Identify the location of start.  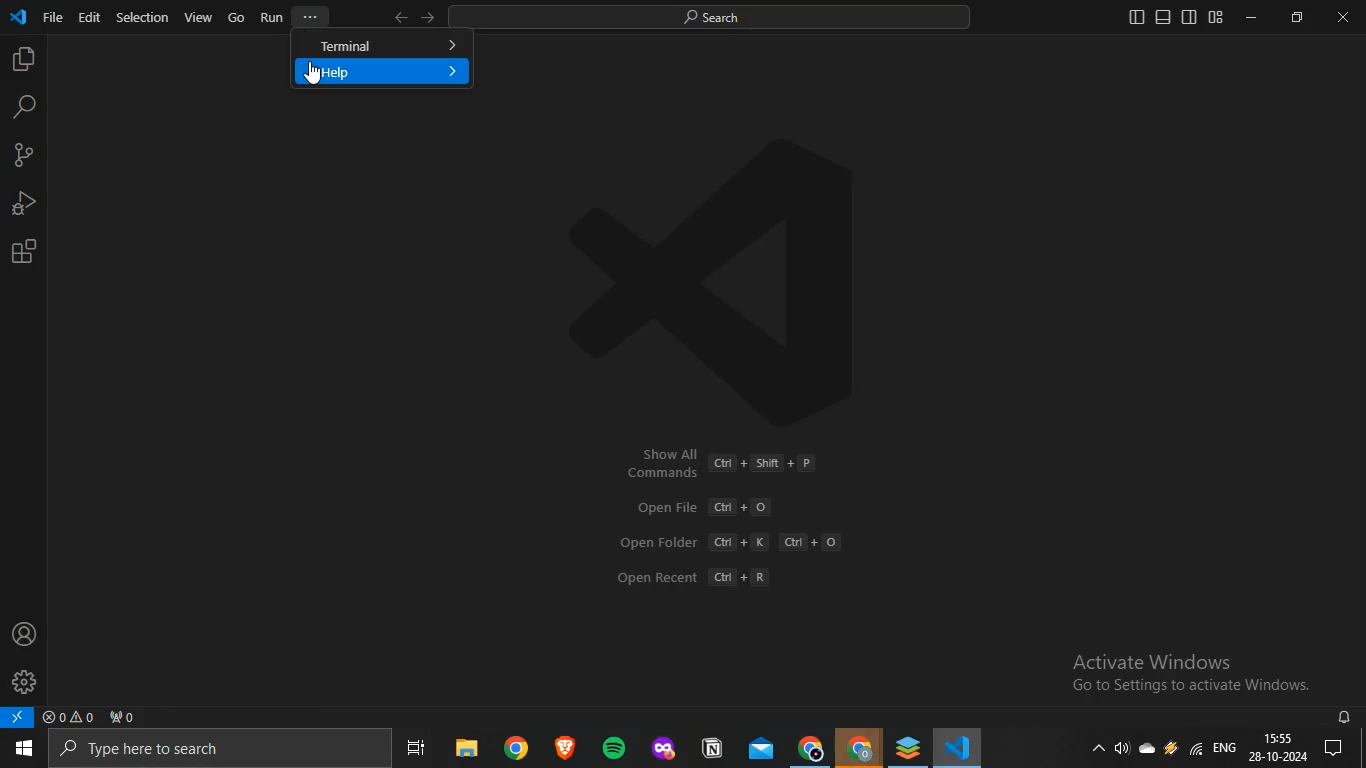
(22, 750).